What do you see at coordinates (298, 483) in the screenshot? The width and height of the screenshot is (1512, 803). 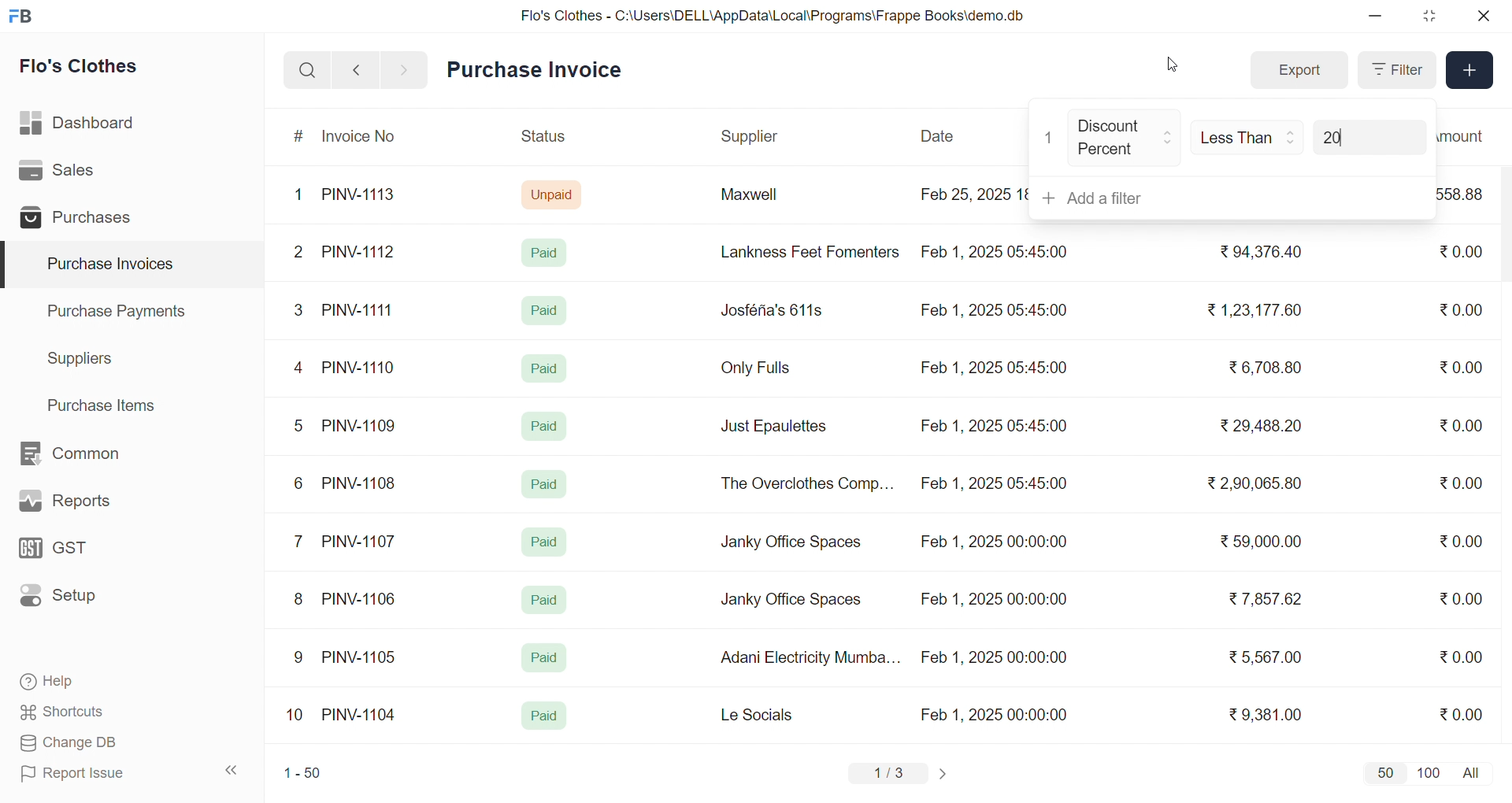 I see `6` at bounding box center [298, 483].